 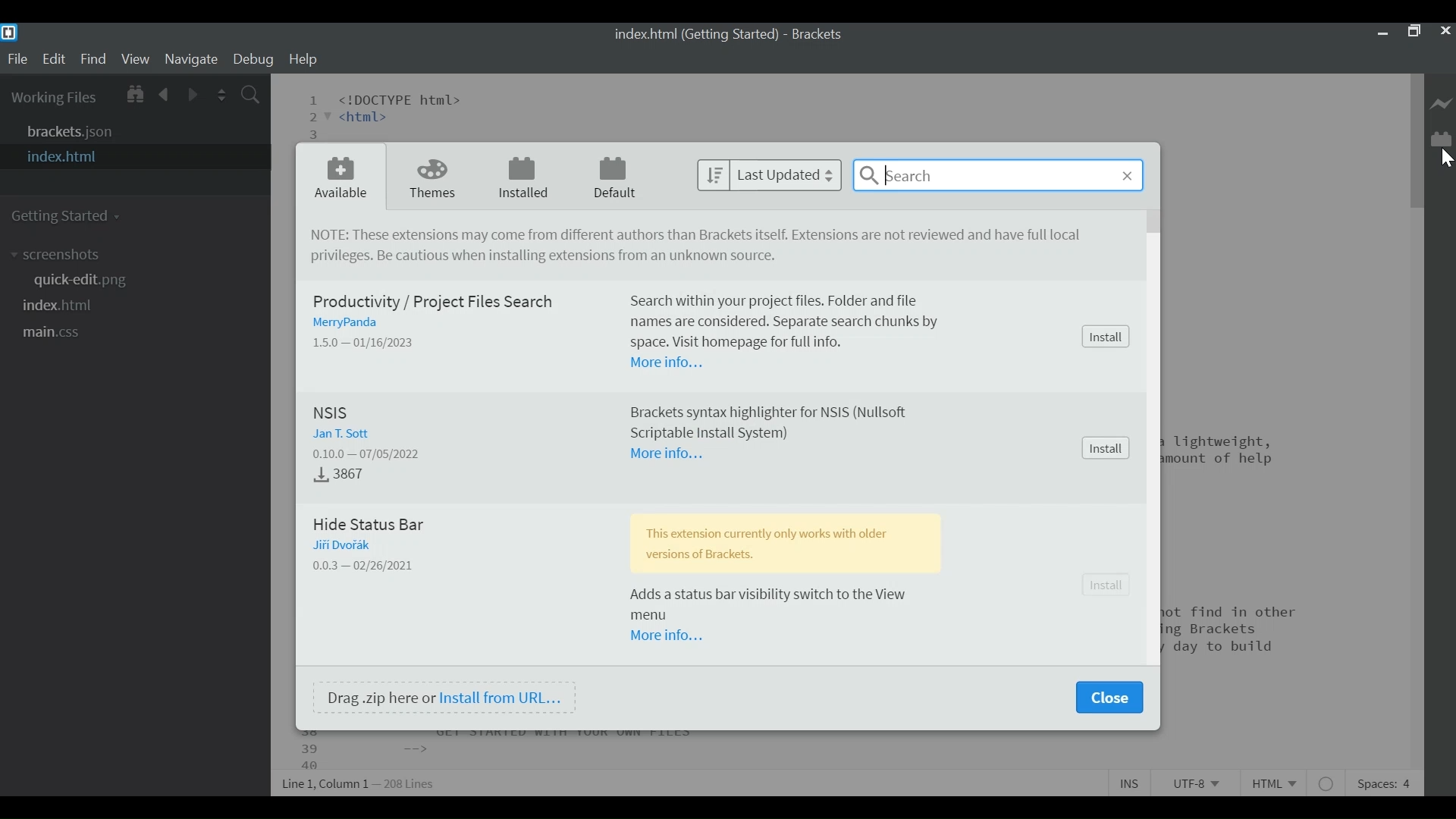 I want to click on More Information, so click(x=668, y=636).